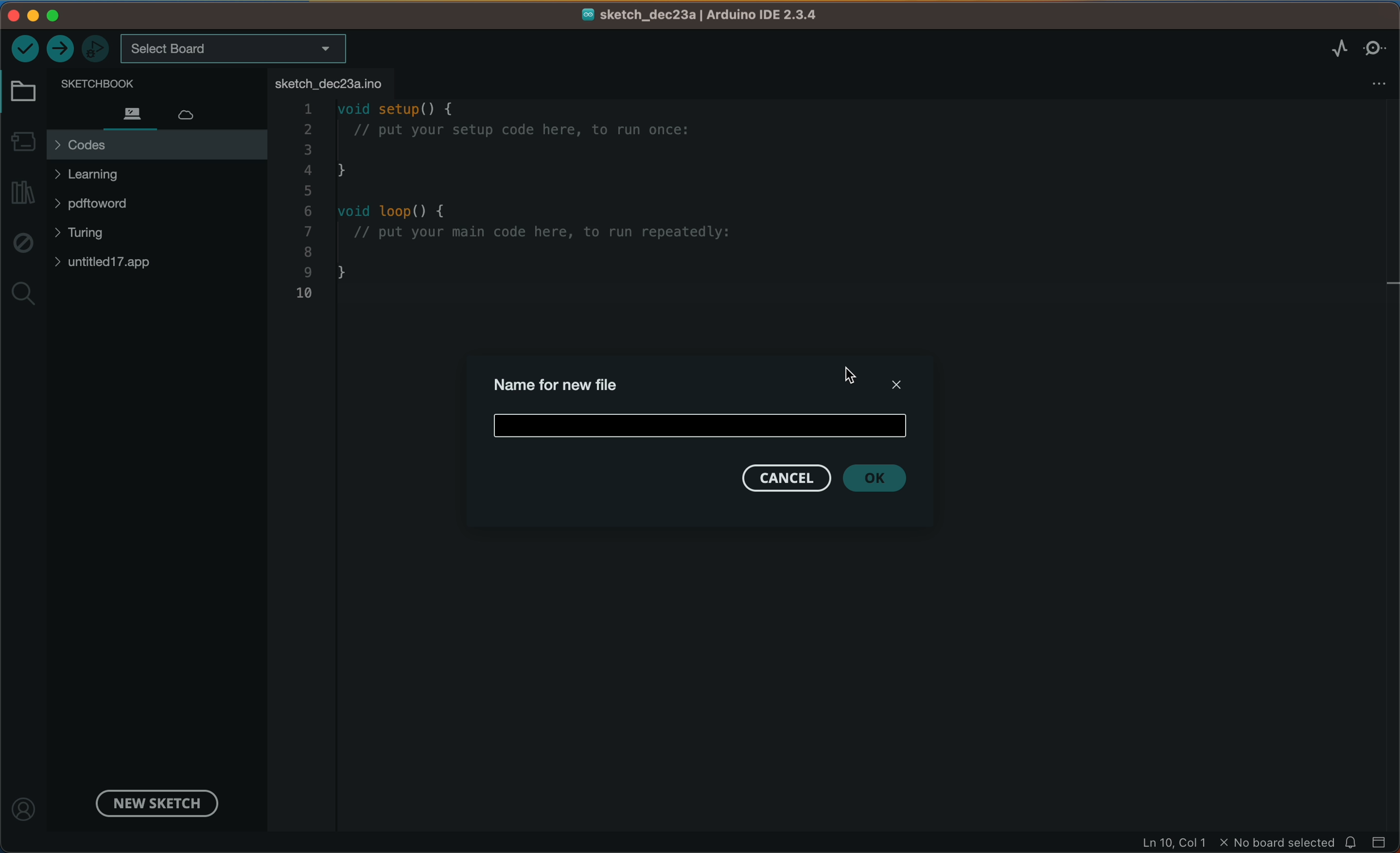  I want to click on learning, so click(111, 174).